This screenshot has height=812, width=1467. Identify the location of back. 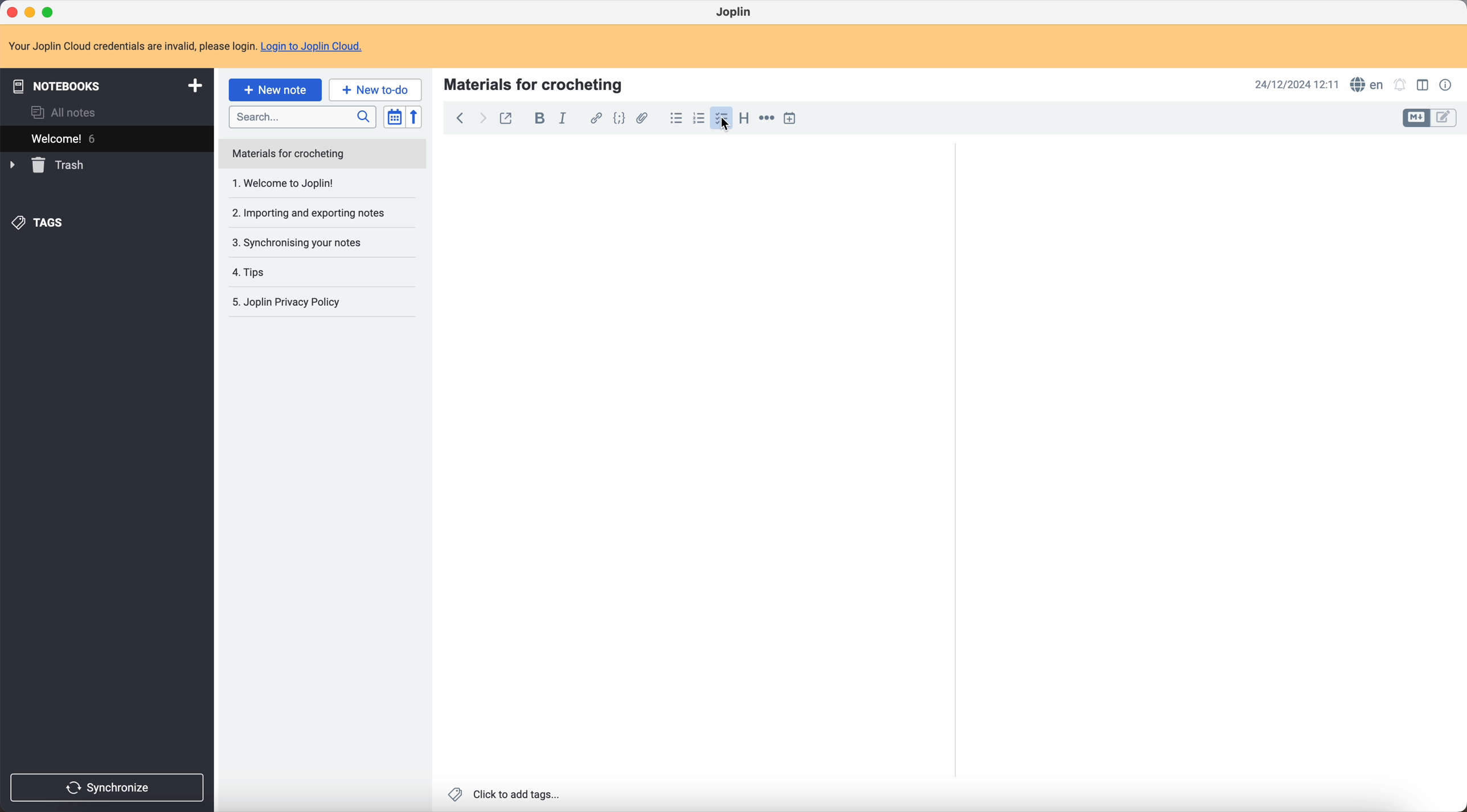
(460, 120).